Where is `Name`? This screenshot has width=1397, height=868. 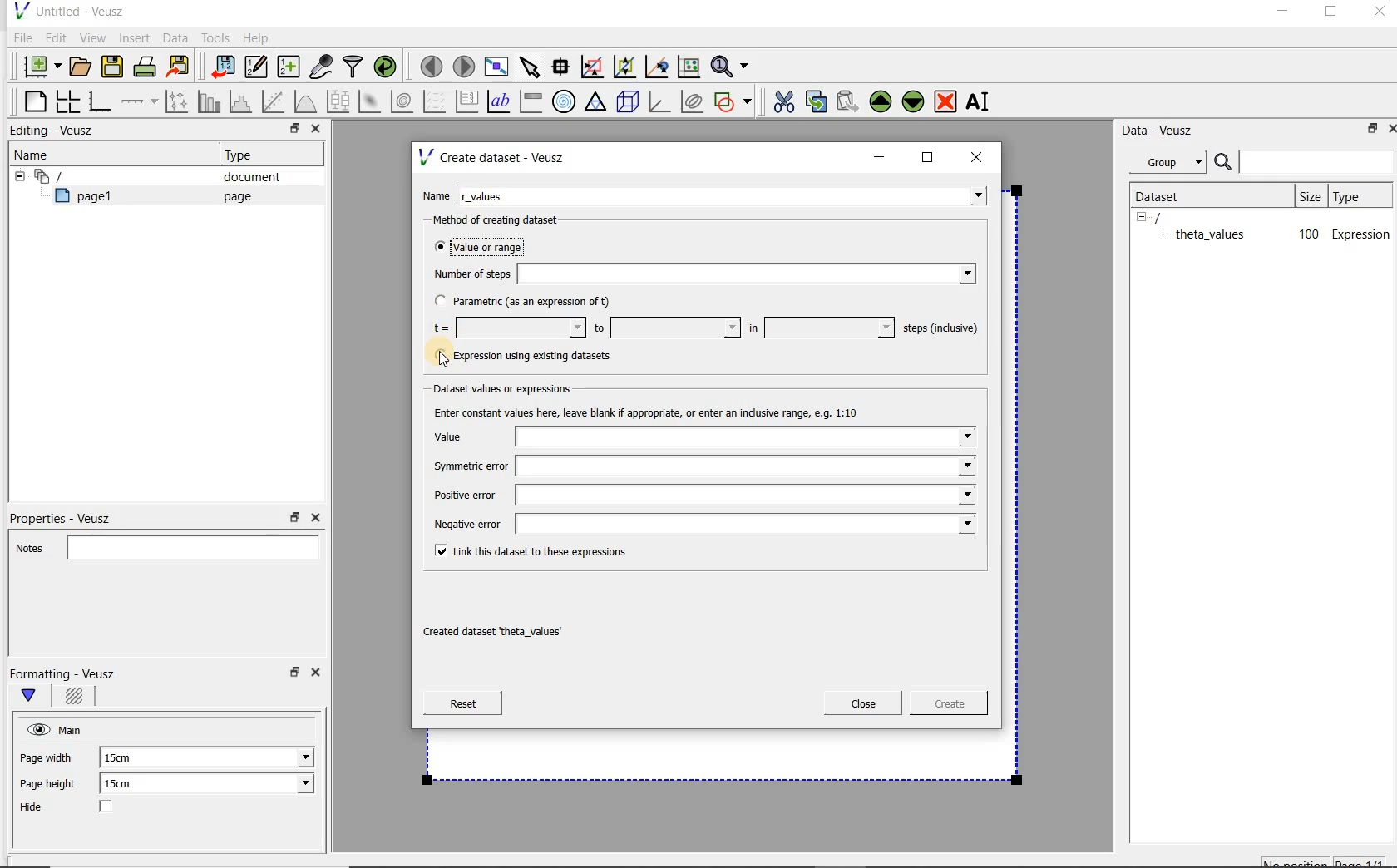 Name is located at coordinates (436, 194).